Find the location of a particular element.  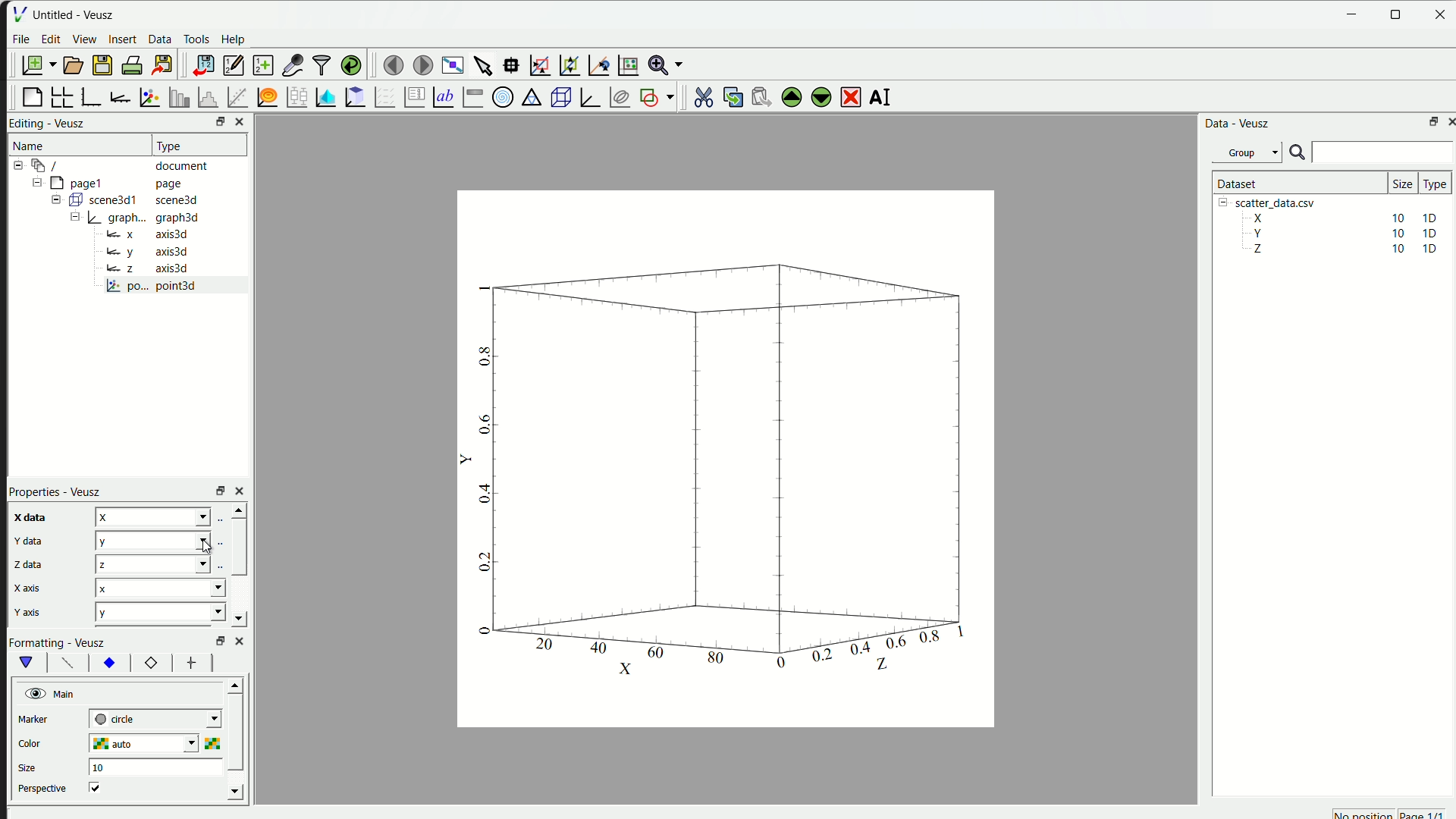

Data - Veusz is located at coordinates (1235, 124).